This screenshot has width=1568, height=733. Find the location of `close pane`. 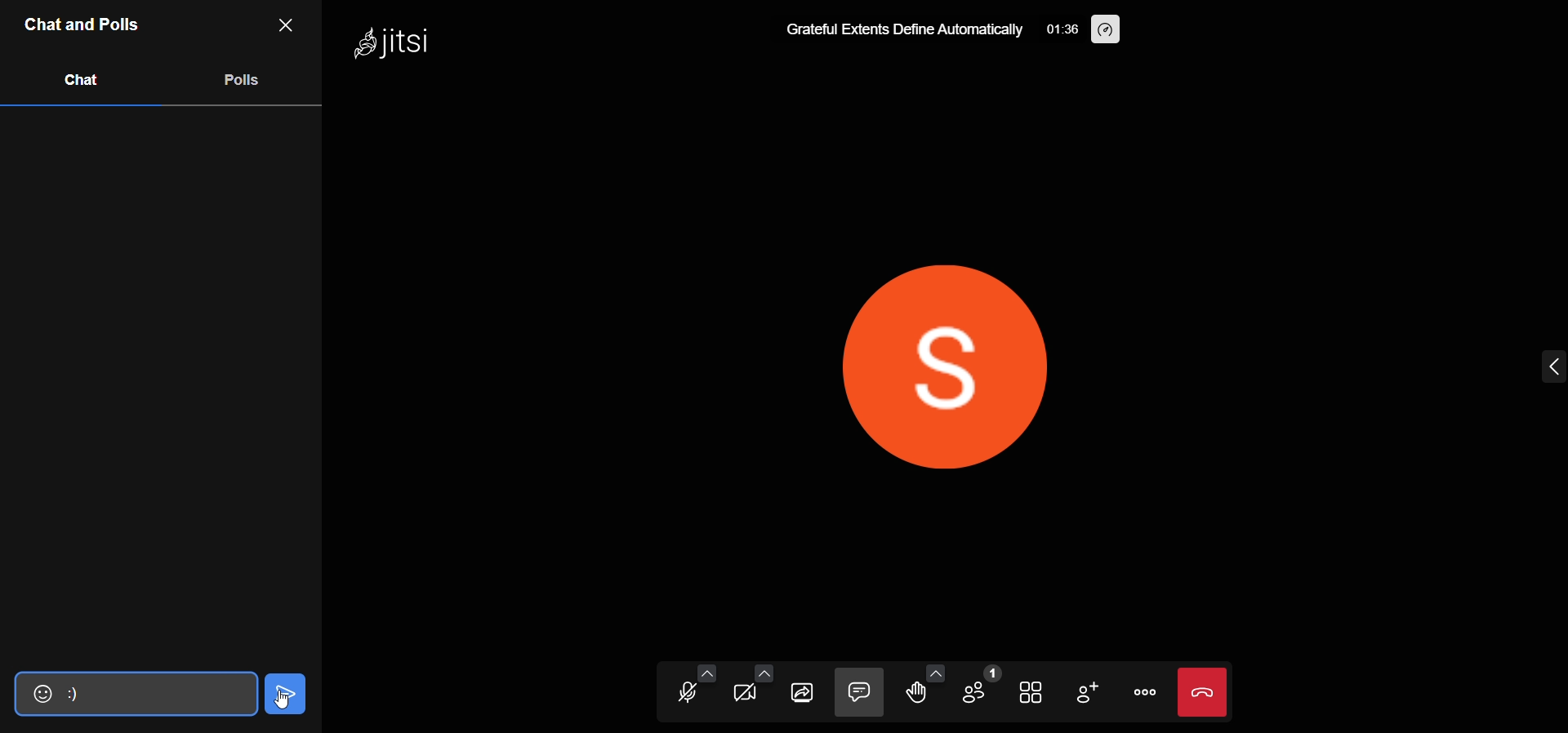

close pane is located at coordinates (292, 26).